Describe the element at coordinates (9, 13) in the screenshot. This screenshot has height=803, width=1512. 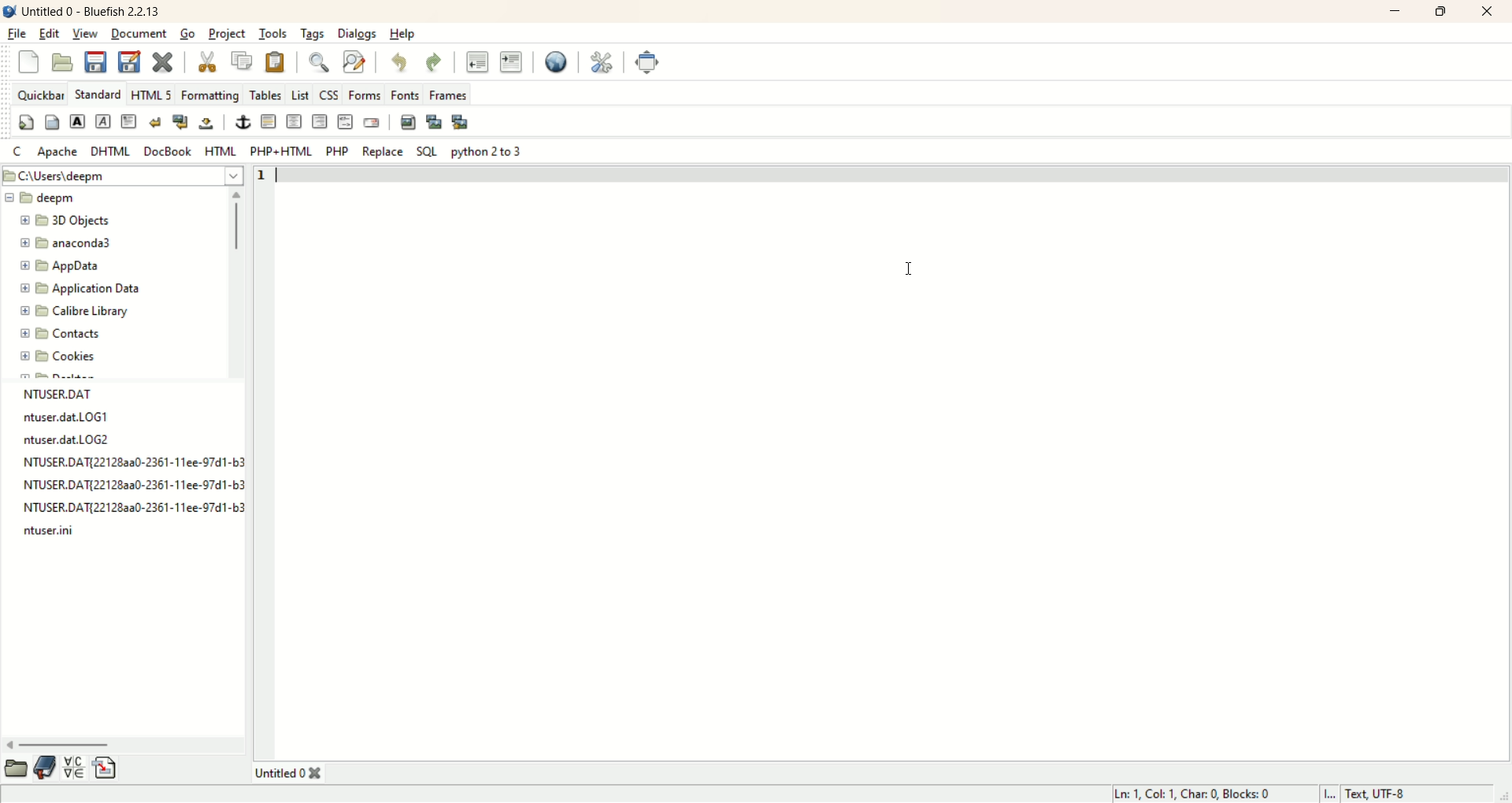
I see `logo` at that location.